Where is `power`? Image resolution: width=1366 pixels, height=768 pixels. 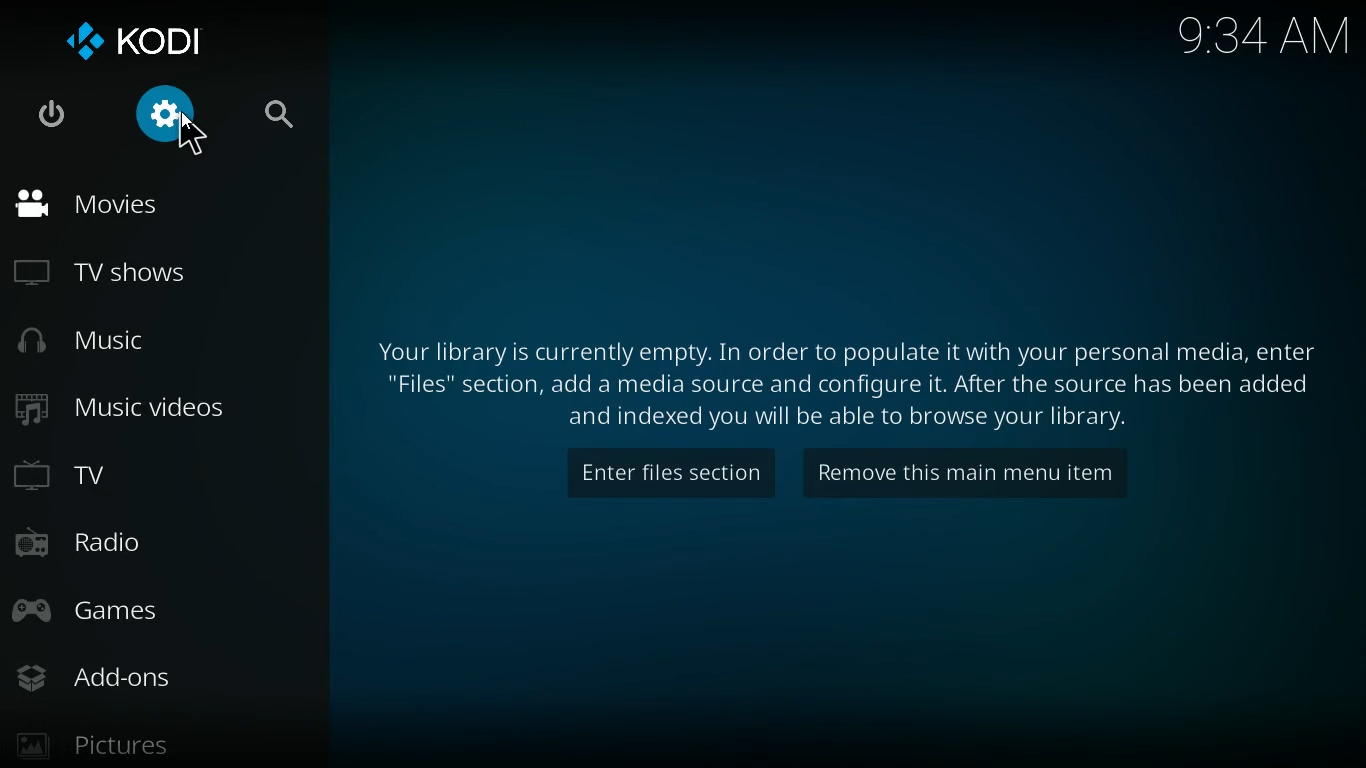
power is located at coordinates (51, 115).